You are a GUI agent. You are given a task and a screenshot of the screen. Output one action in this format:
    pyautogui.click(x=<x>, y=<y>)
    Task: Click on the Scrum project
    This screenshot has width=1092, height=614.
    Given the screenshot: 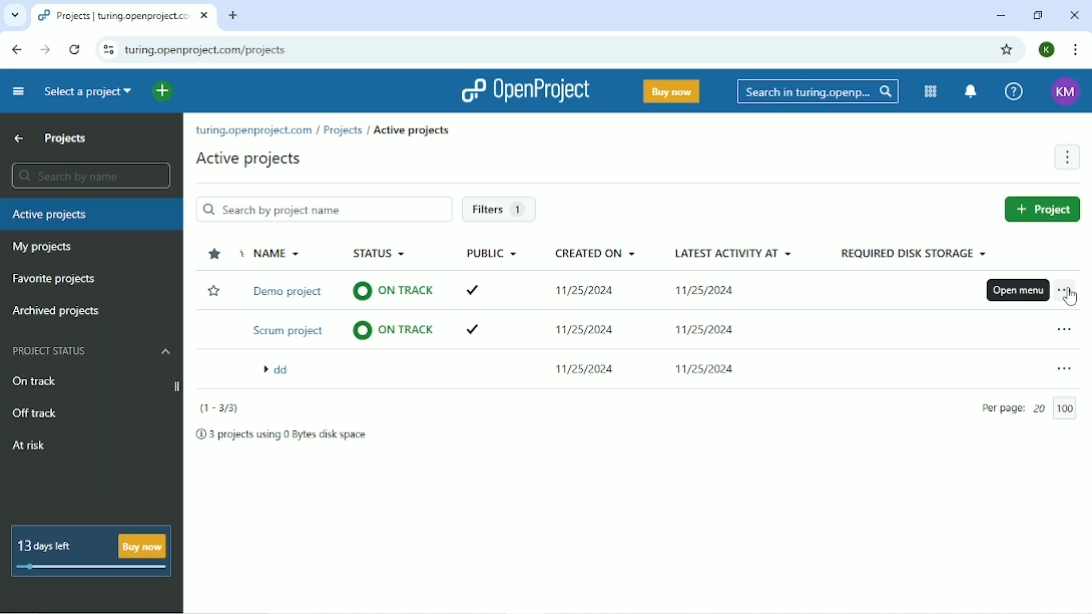 What is the action you would take?
    pyautogui.click(x=285, y=331)
    